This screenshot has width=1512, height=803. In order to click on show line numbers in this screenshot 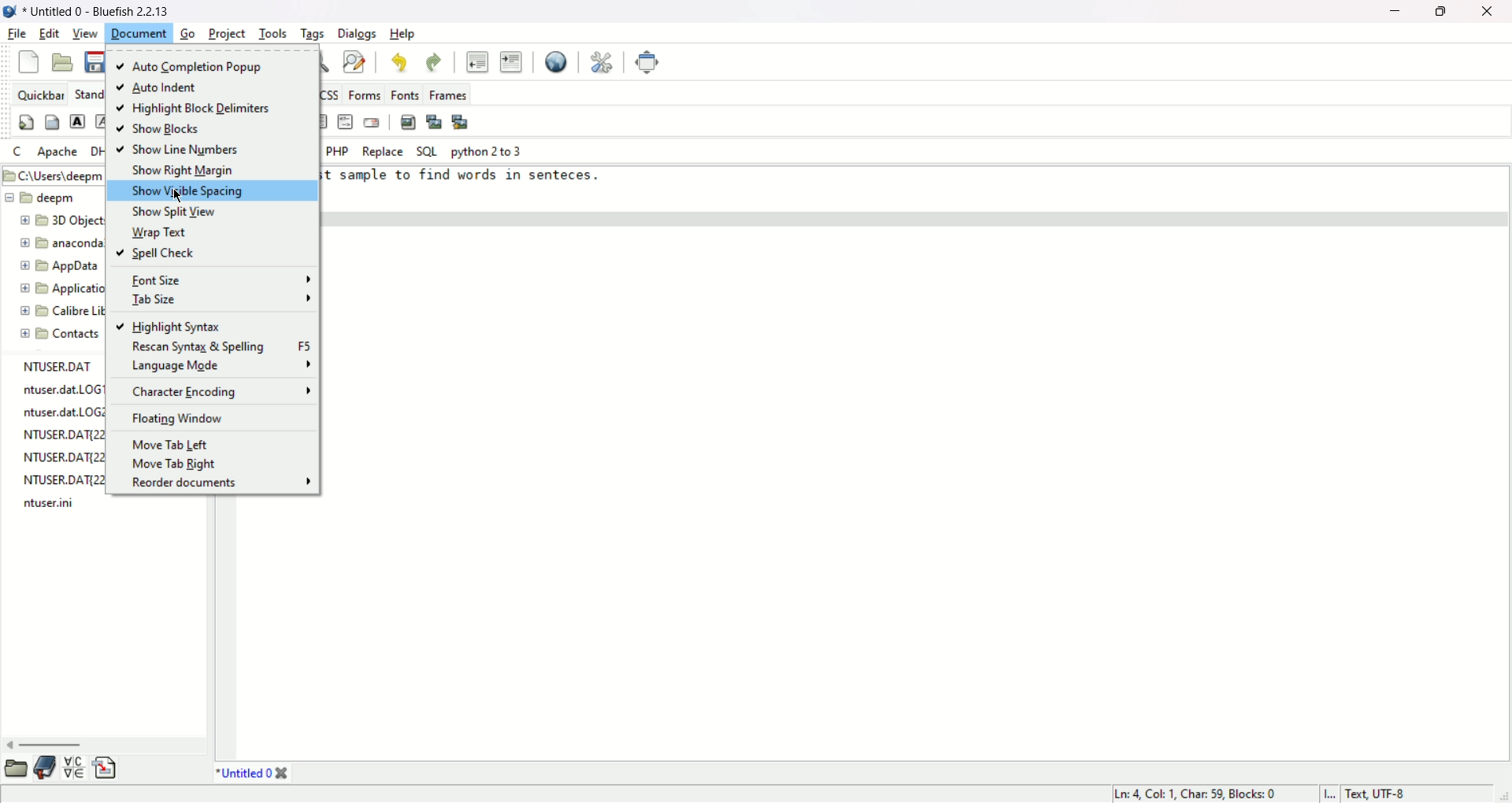, I will do `click(180, 150)`.